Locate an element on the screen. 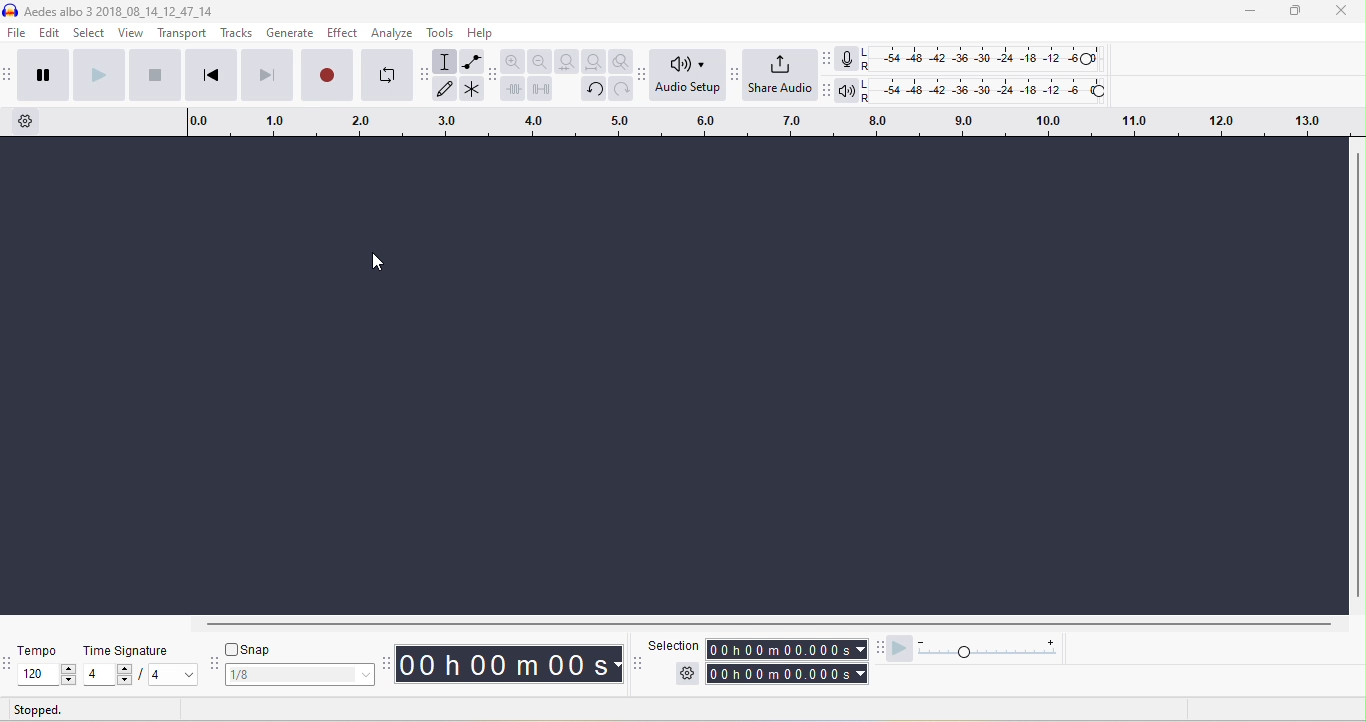  L is located at coordinates (869, 85).